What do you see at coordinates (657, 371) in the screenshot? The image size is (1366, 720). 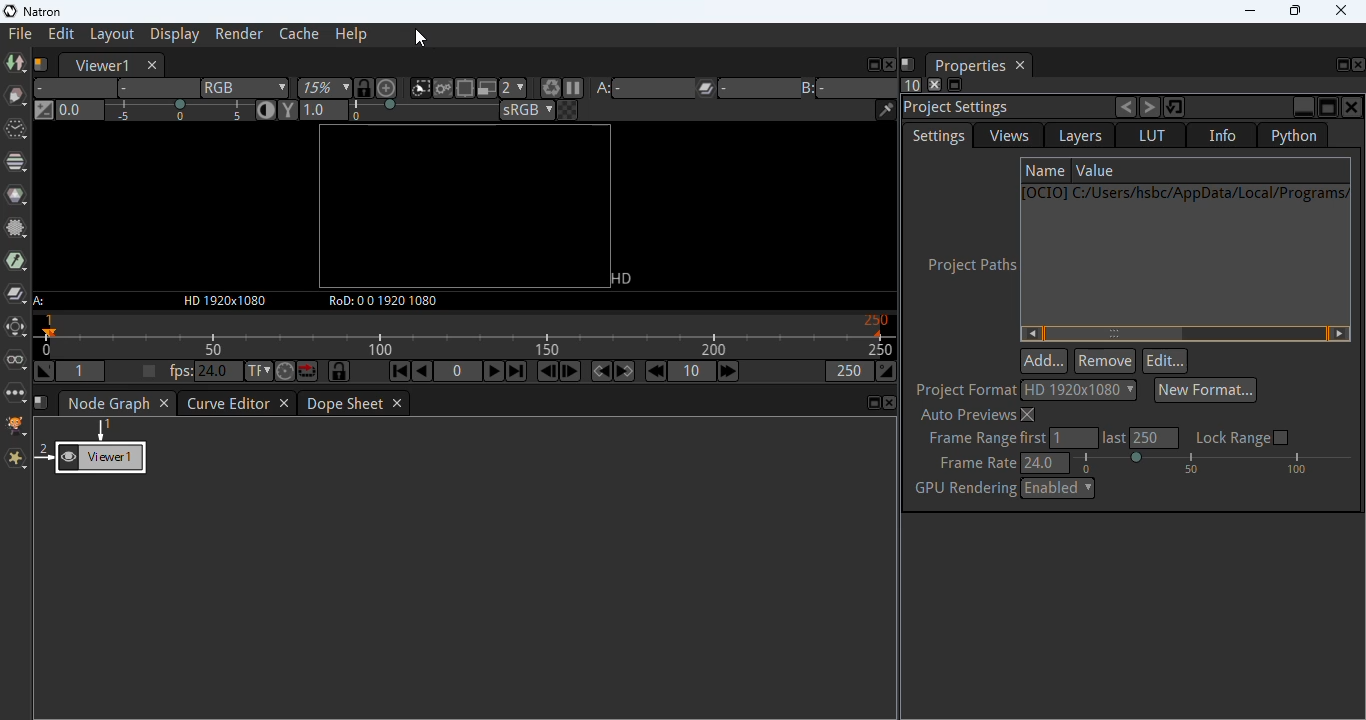 I see `previous increment` at bounding box center [657, 371].